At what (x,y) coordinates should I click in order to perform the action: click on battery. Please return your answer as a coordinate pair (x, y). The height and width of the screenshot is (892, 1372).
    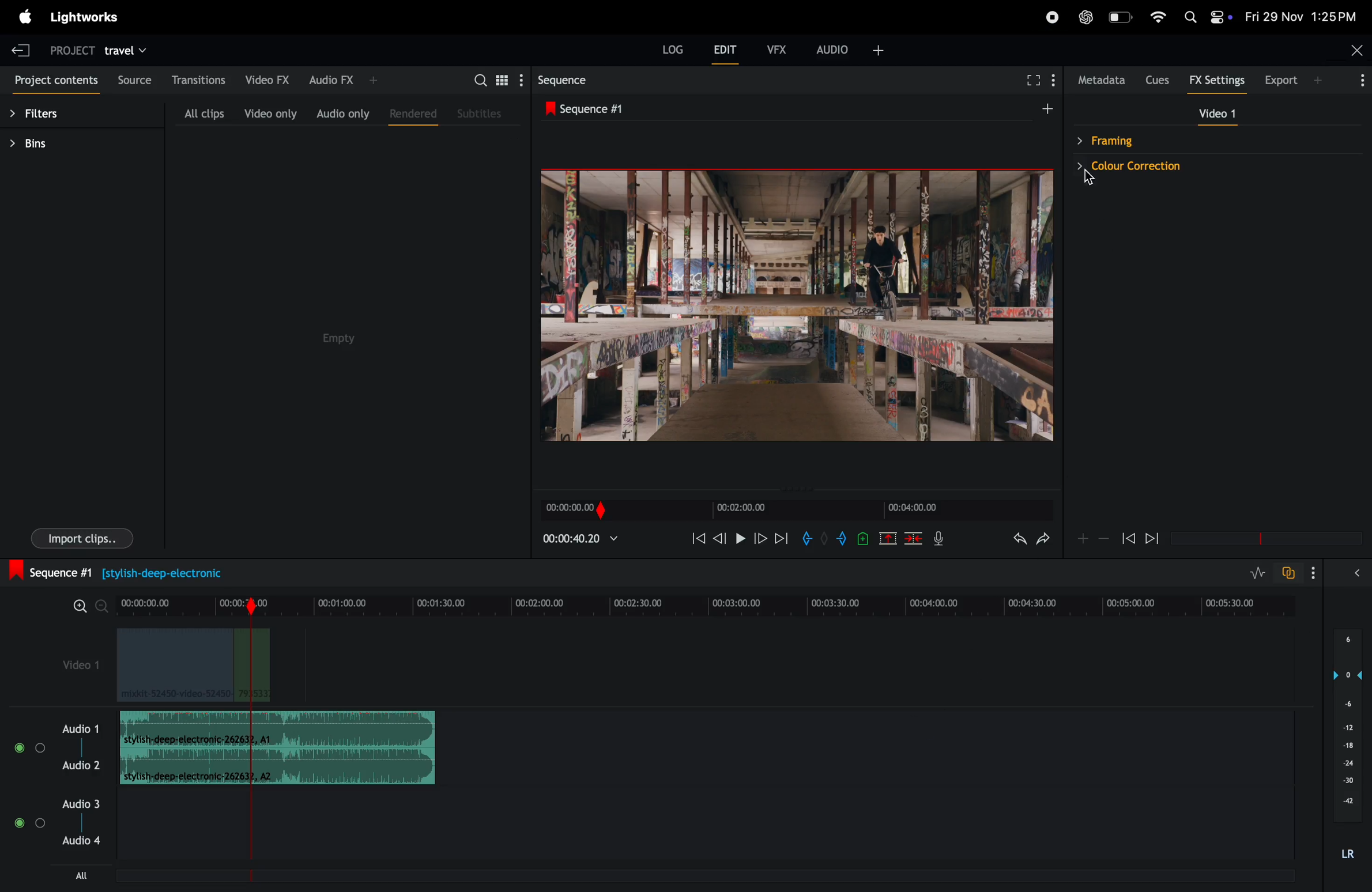
    Looking at the image, I should click on (1121, 17).